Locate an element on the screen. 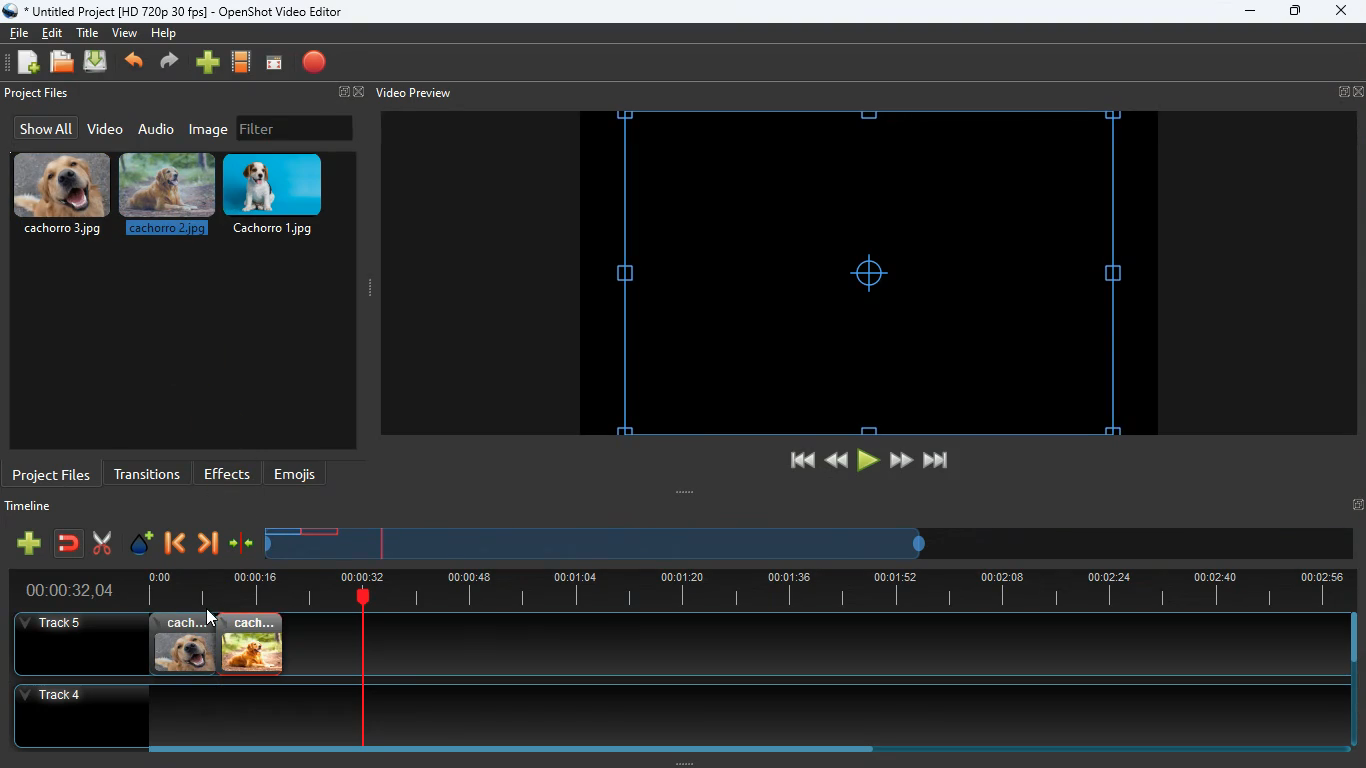 This screenshot has width=1366, height=768. Horizontal slide bar is located at coordinates (735, 749).